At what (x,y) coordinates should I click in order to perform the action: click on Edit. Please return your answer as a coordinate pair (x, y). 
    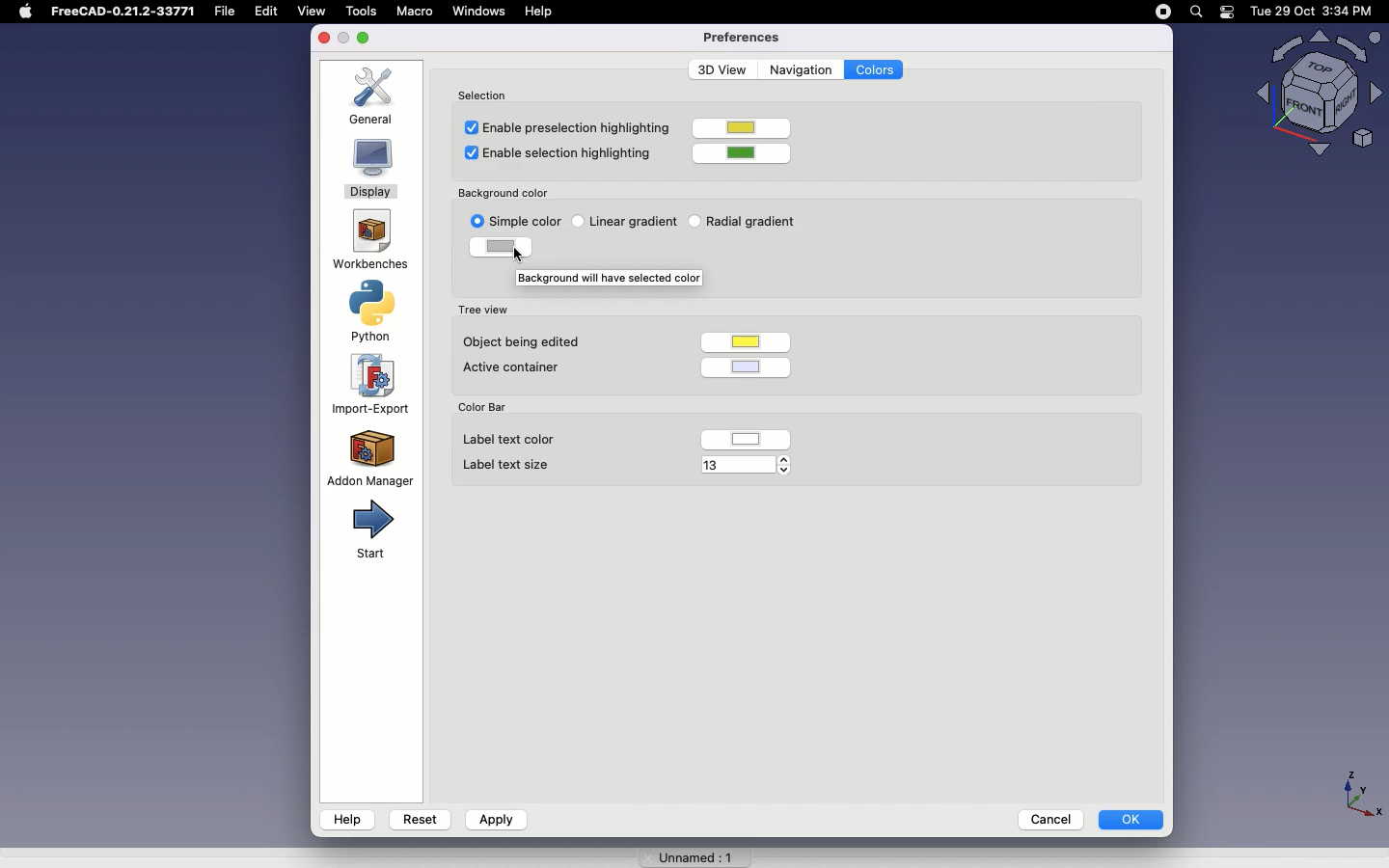
    Looking at the image, I should click on (271, 12).